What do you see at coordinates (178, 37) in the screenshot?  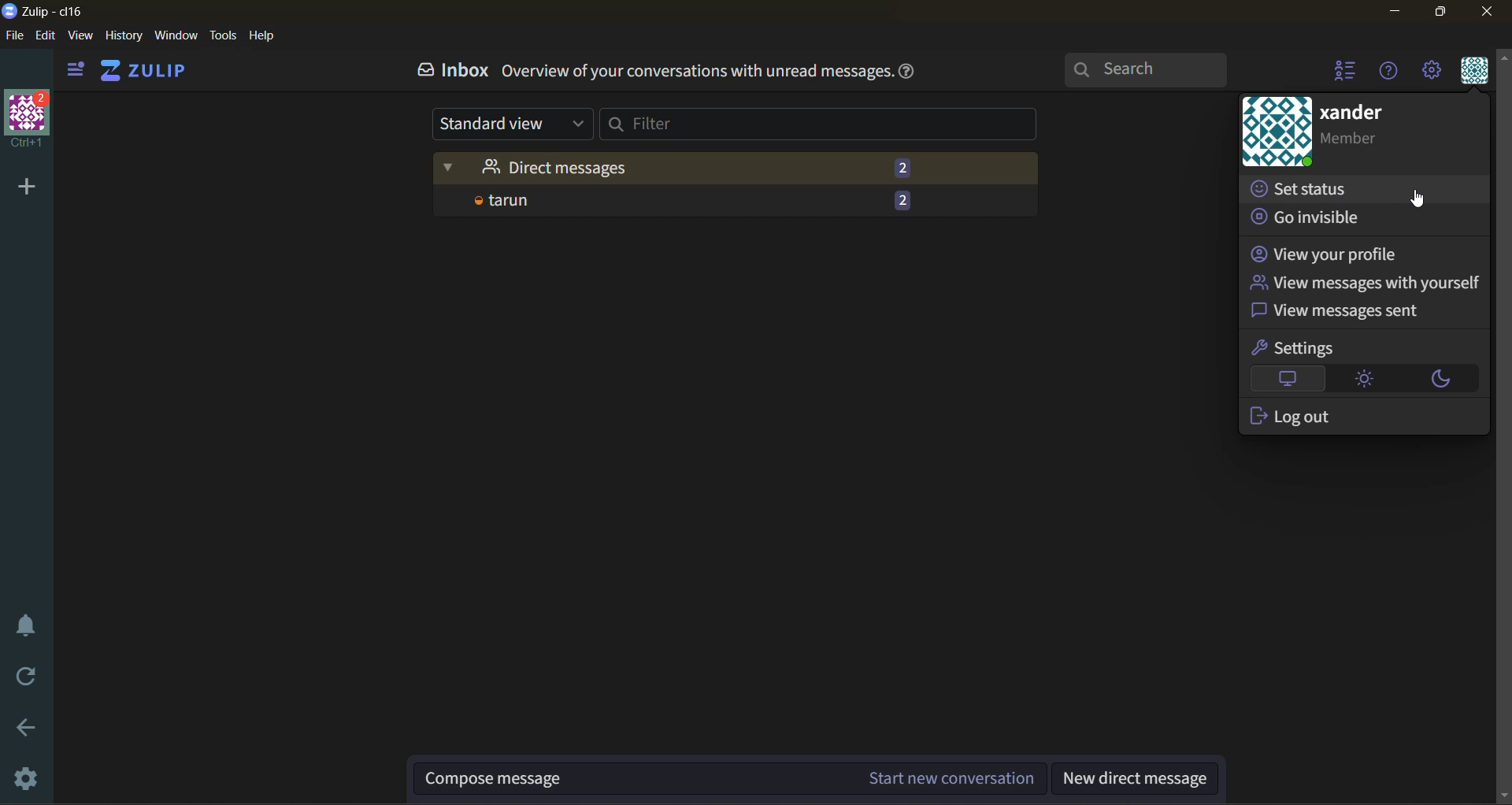 I see `window` at bounding box center [178, 37].